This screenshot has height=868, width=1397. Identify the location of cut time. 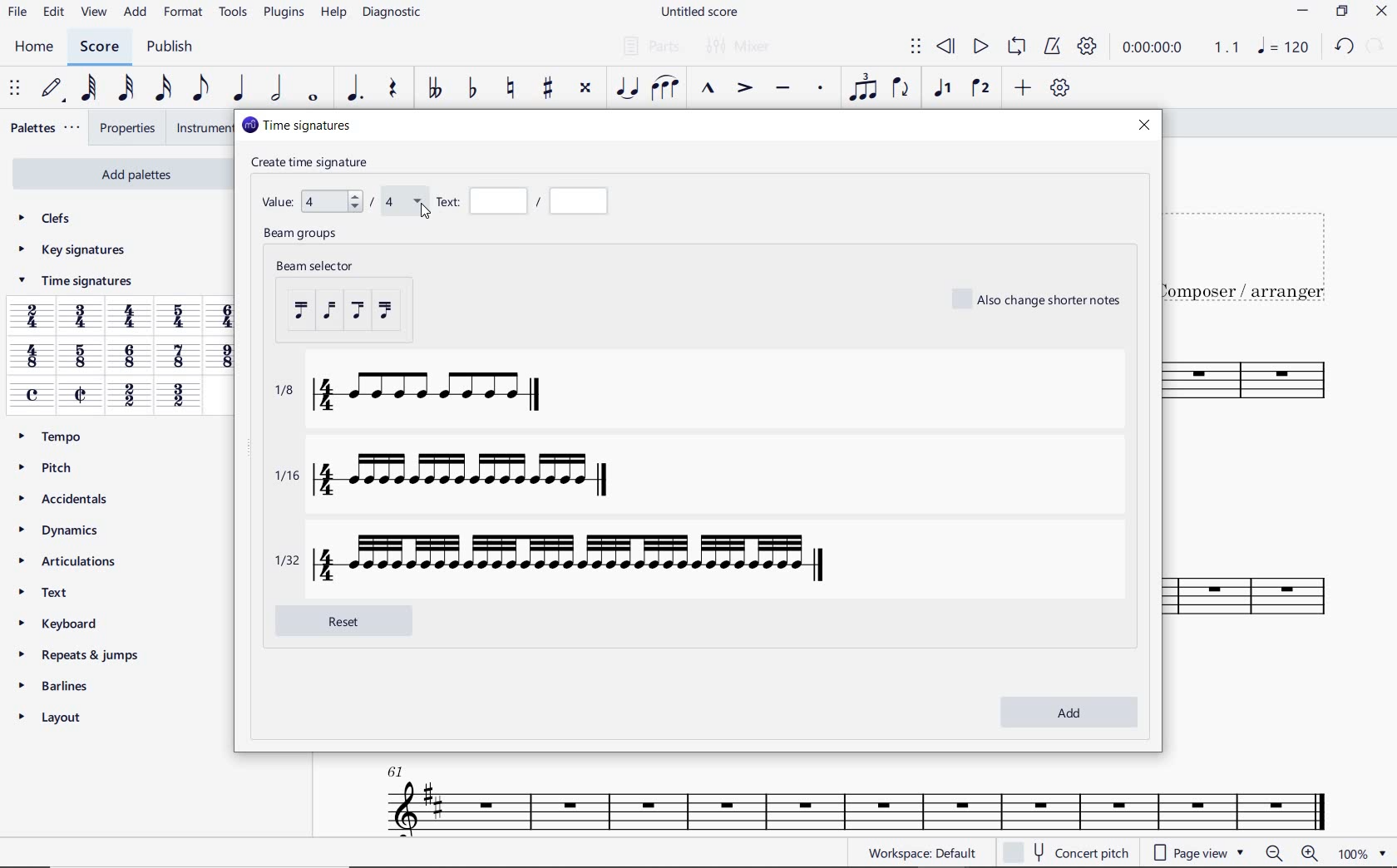
(80, 394).